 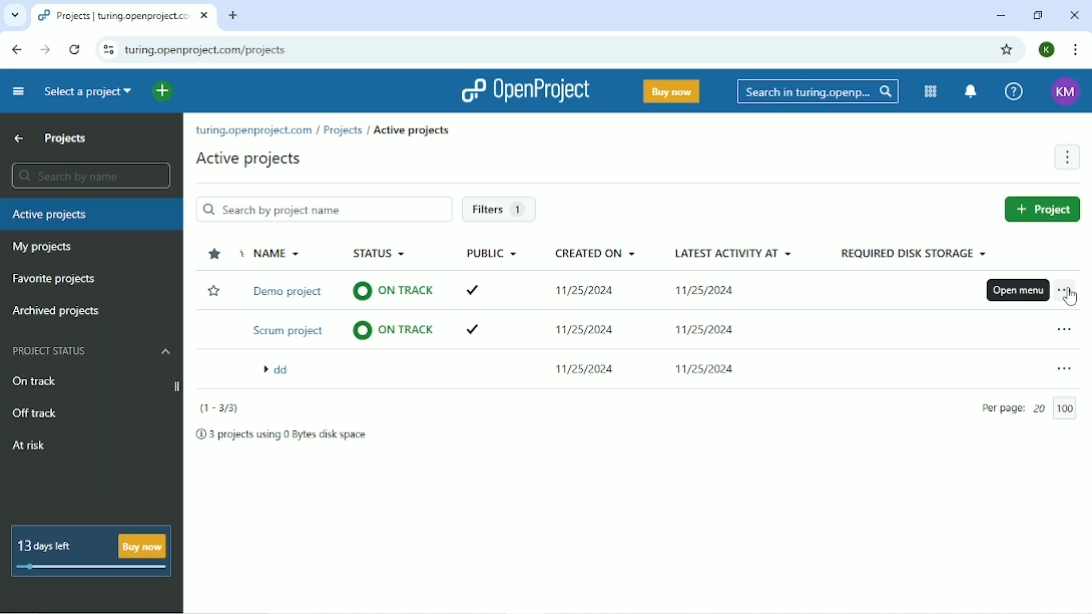 I want to click on Minimize, so click(x=998, y=17).